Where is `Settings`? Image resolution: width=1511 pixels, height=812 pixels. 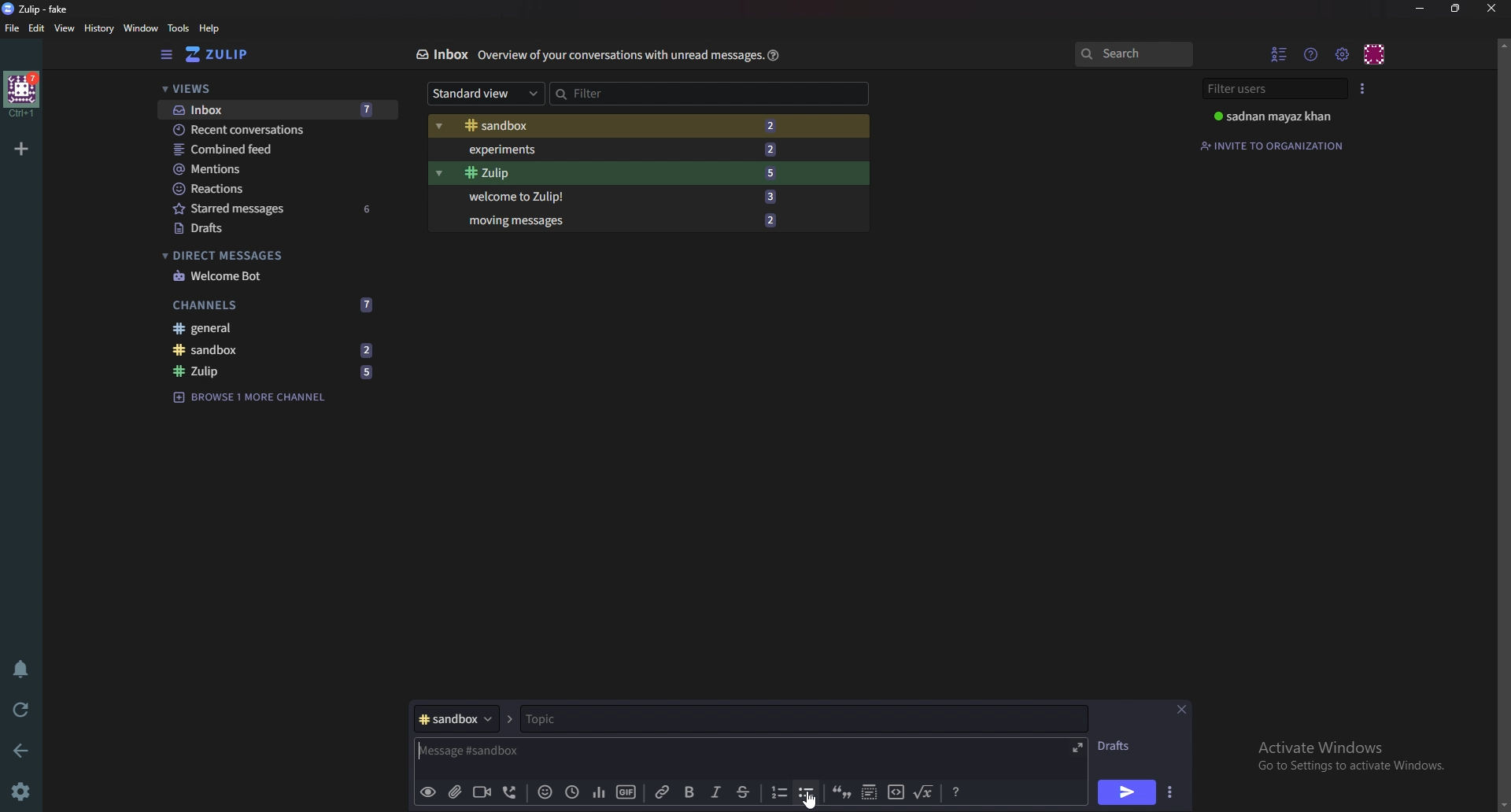
Settings is located at coordinates (20, 793).